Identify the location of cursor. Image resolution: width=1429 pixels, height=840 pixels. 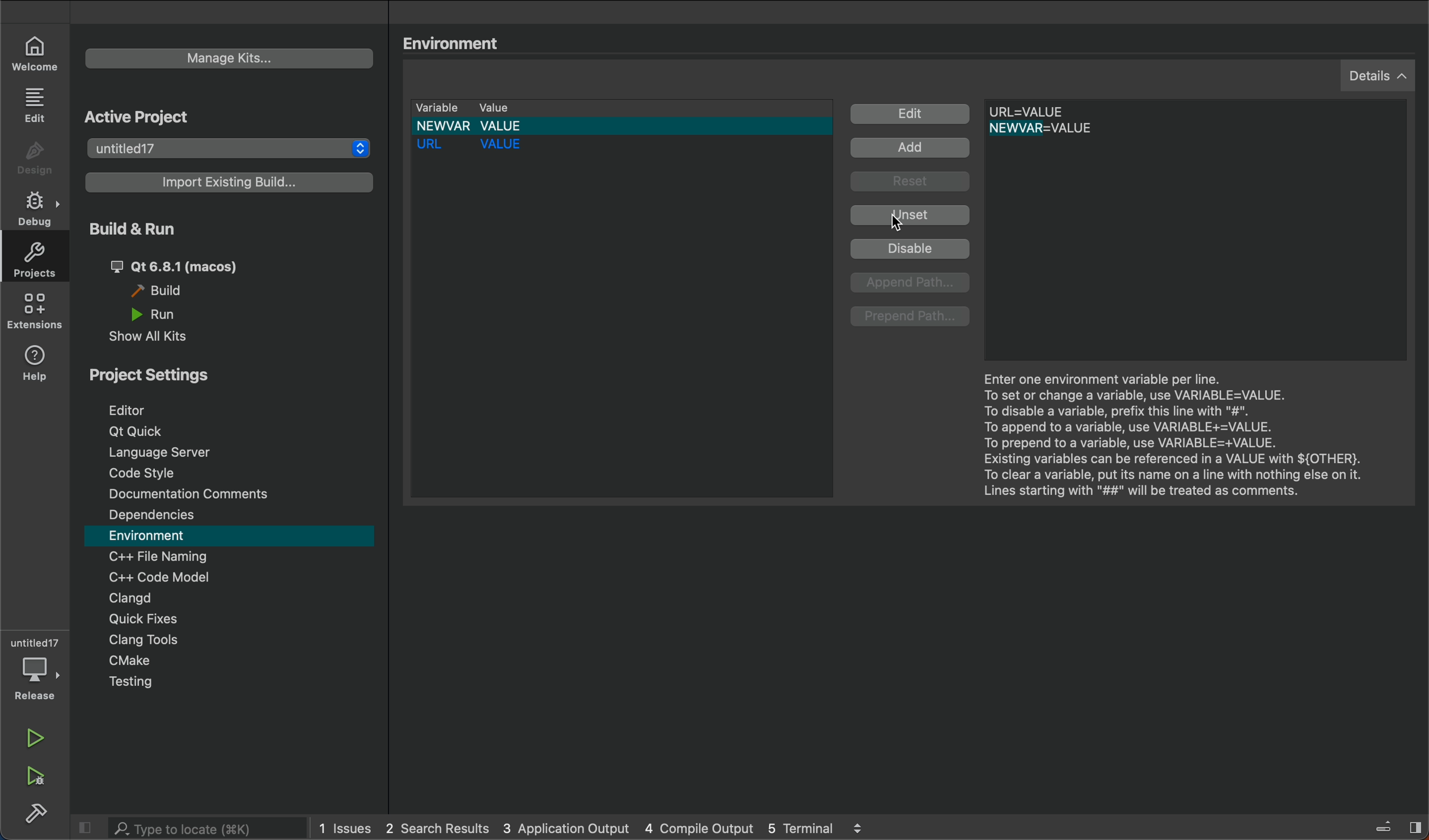
(899, 230).